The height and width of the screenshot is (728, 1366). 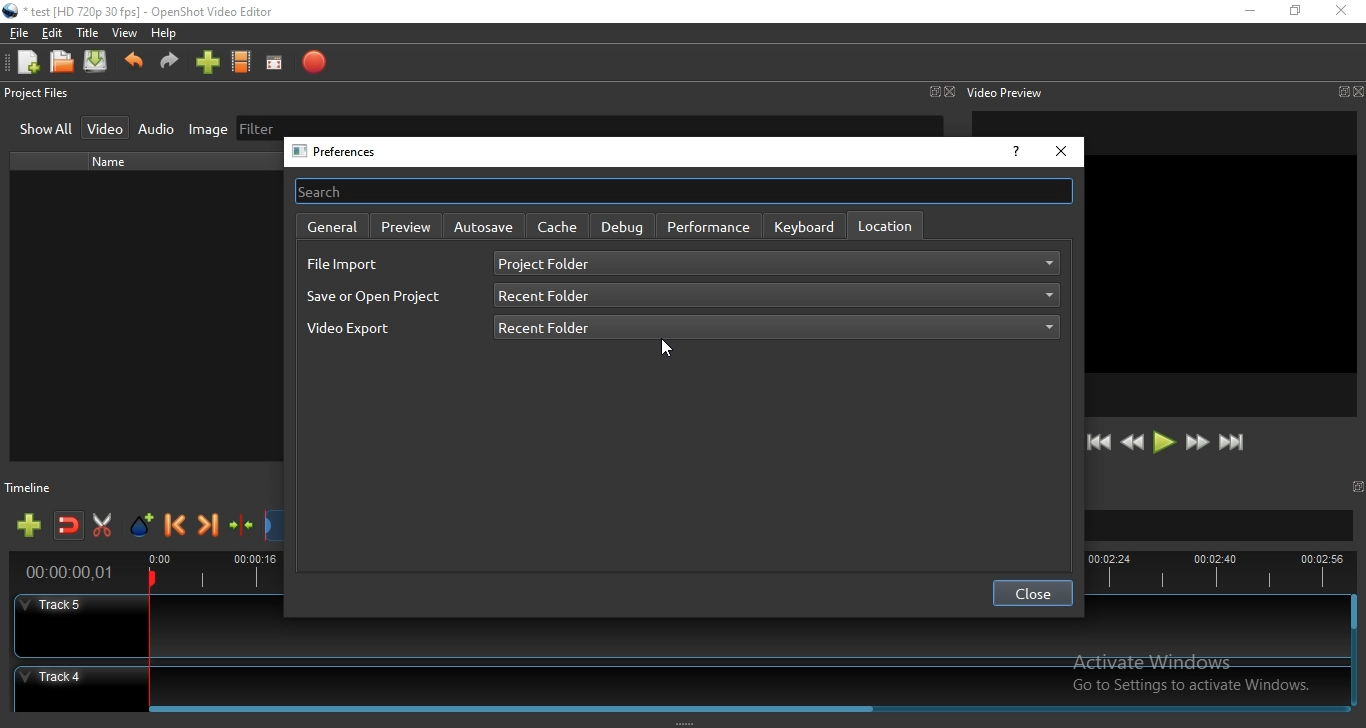 I want to click on window, so click(x=1360, y=486).